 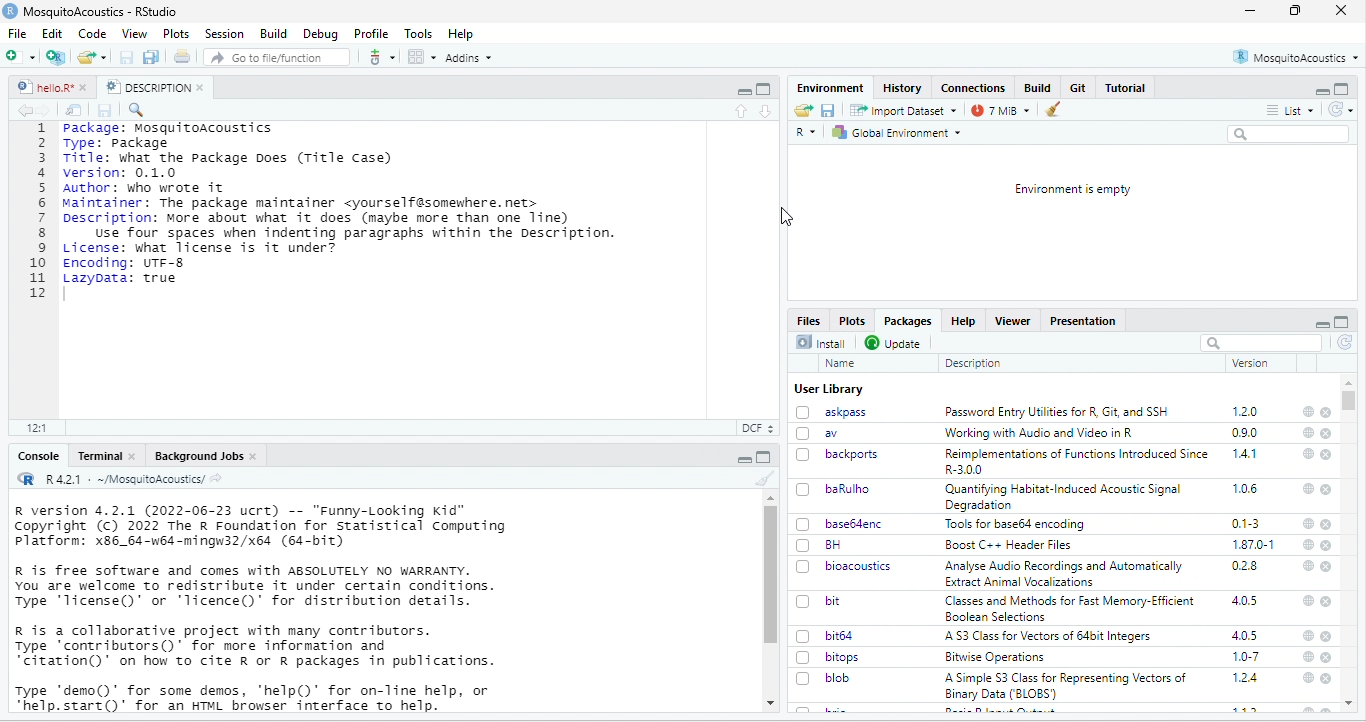 What do you see at coordinates (204, 455) in the screenshot?
I see `Background Jobs` at bounding box center [204, 455].